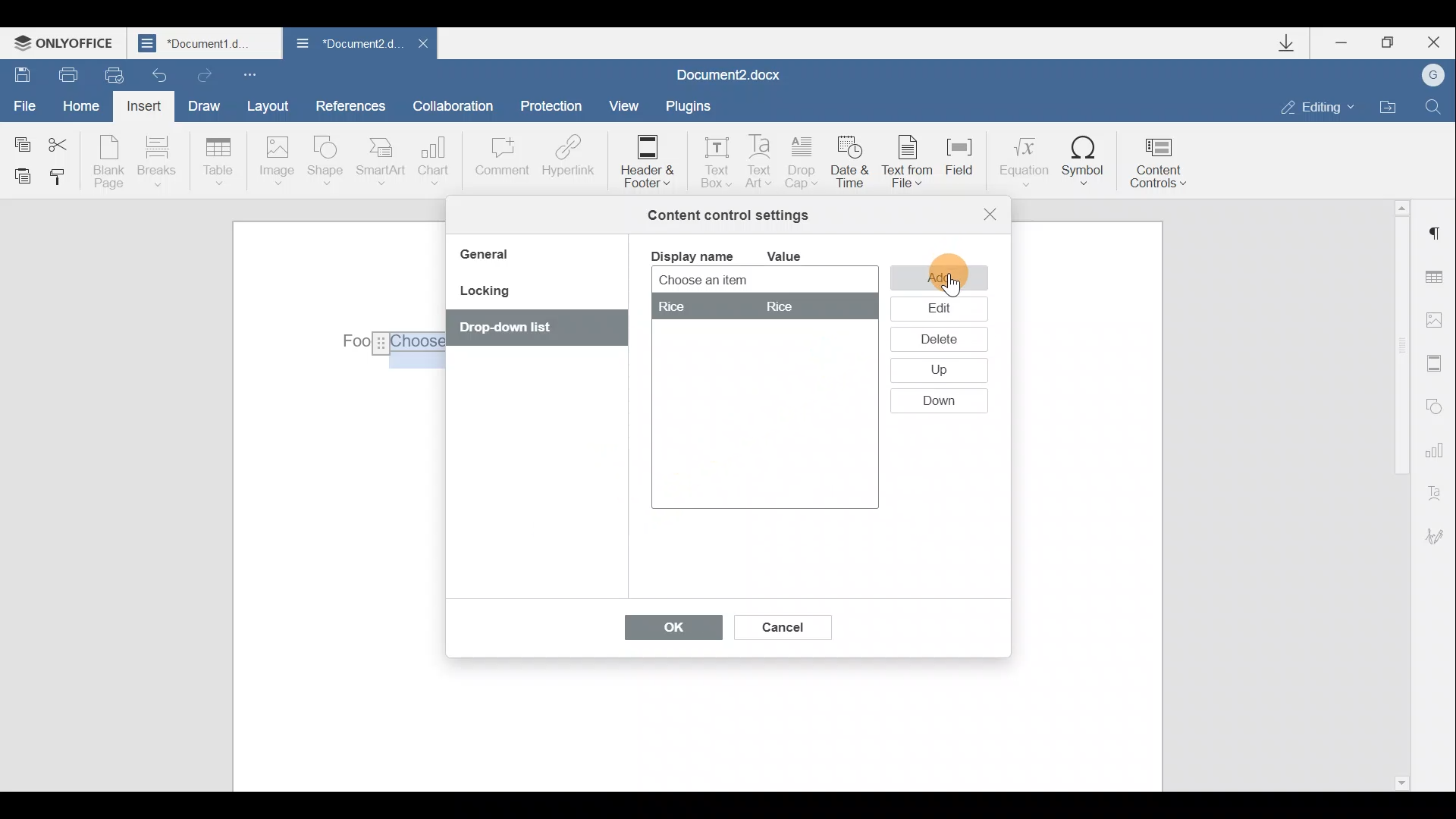  Describe the element at coordinates (490, 256) in the screenshot. I see `General` at that location.